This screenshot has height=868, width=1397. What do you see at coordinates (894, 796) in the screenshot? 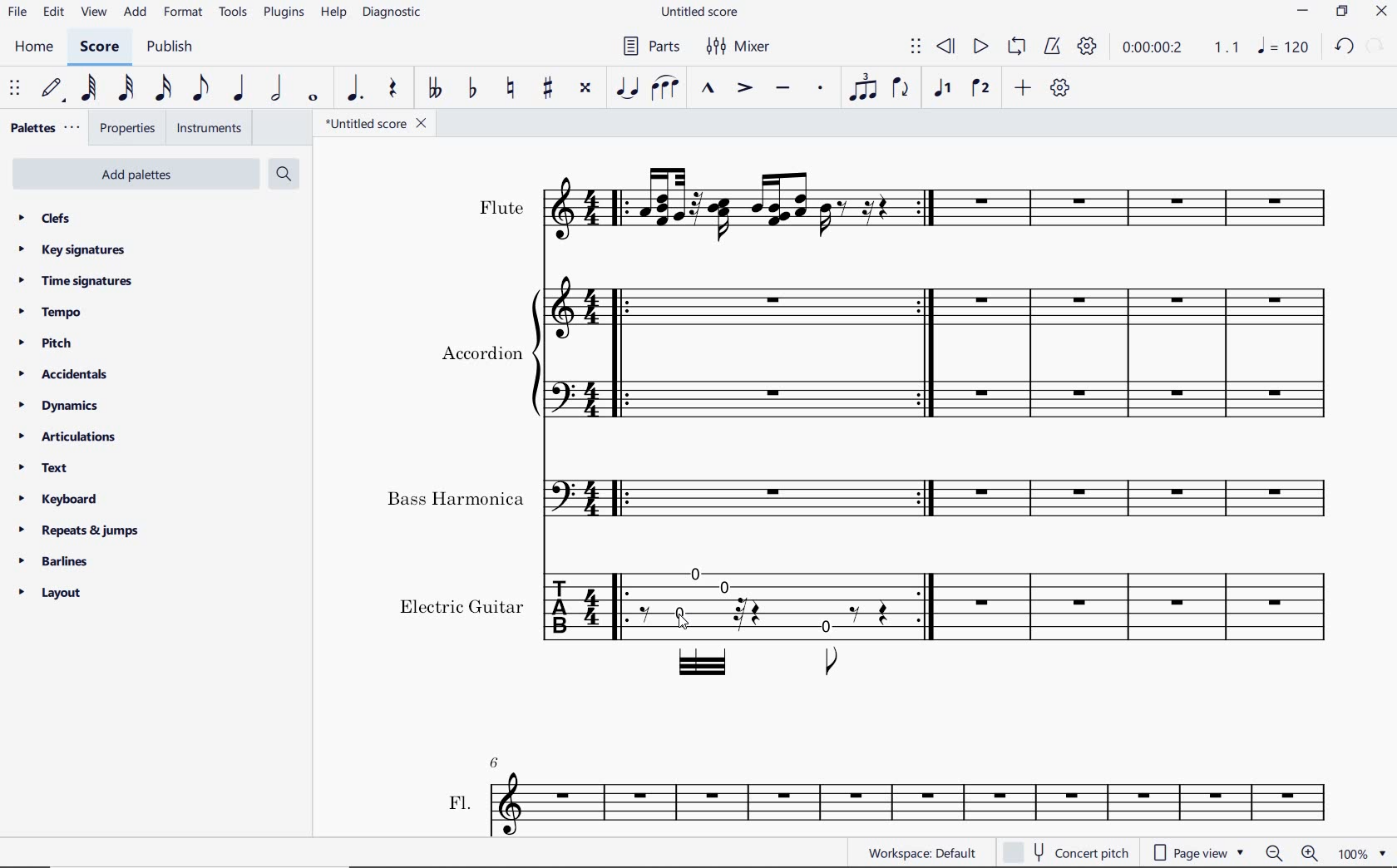
I see `FL` at bounding box center [894, 796].